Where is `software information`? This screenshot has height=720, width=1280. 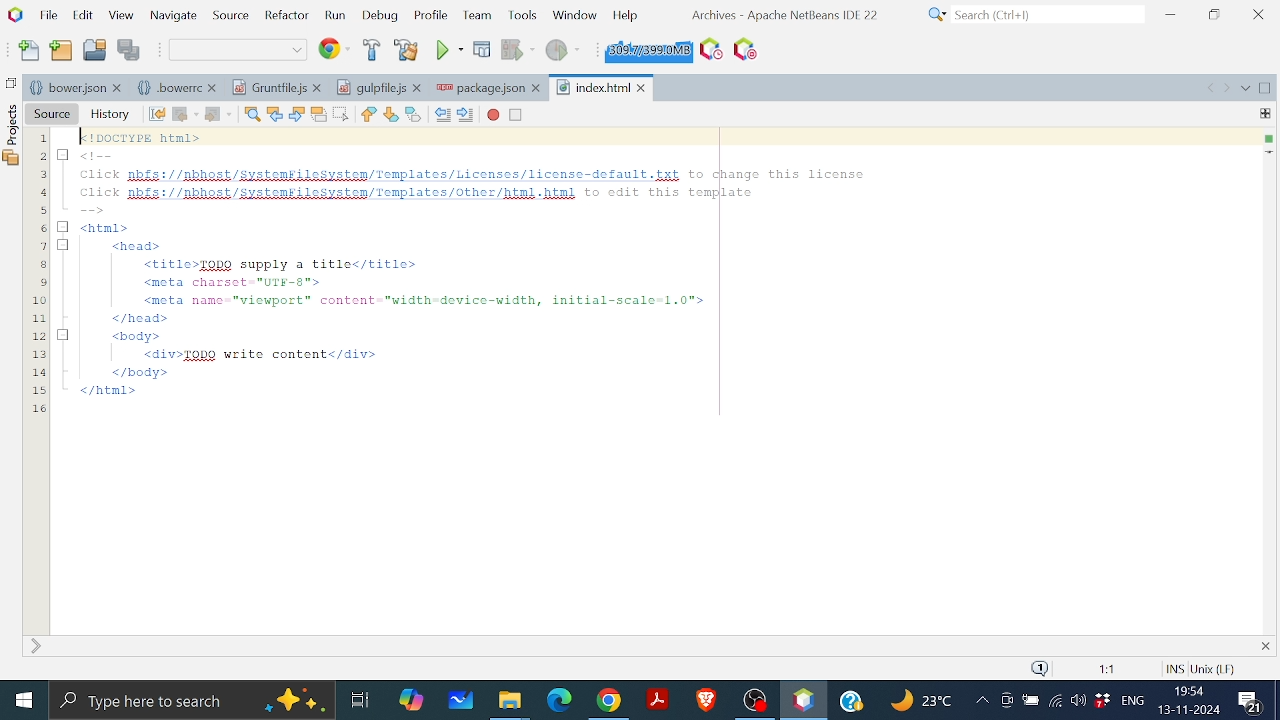 software information is located at coordinates (784, 14).